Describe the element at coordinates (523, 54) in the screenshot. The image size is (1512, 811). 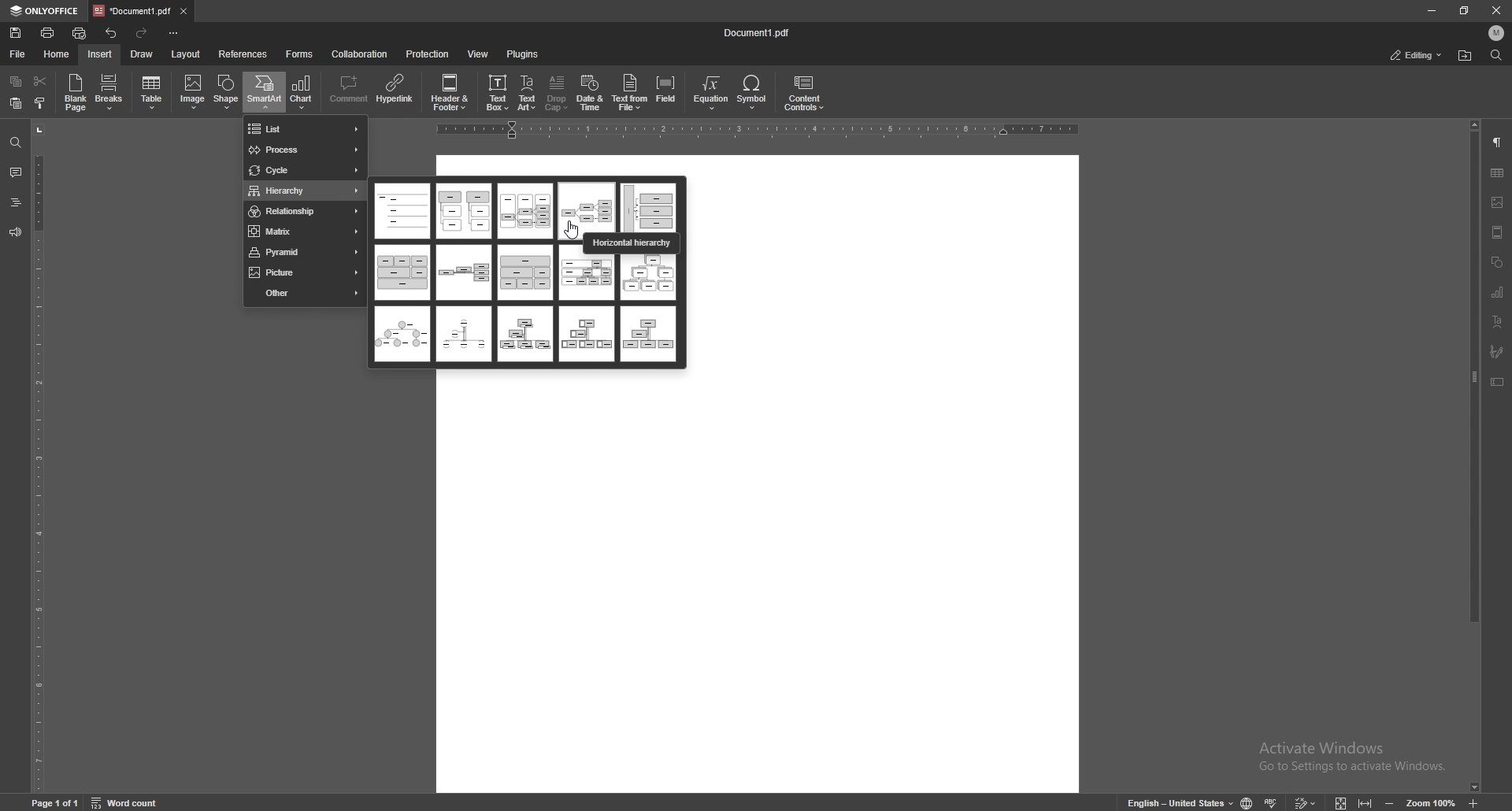
I see `plugins` at that location.